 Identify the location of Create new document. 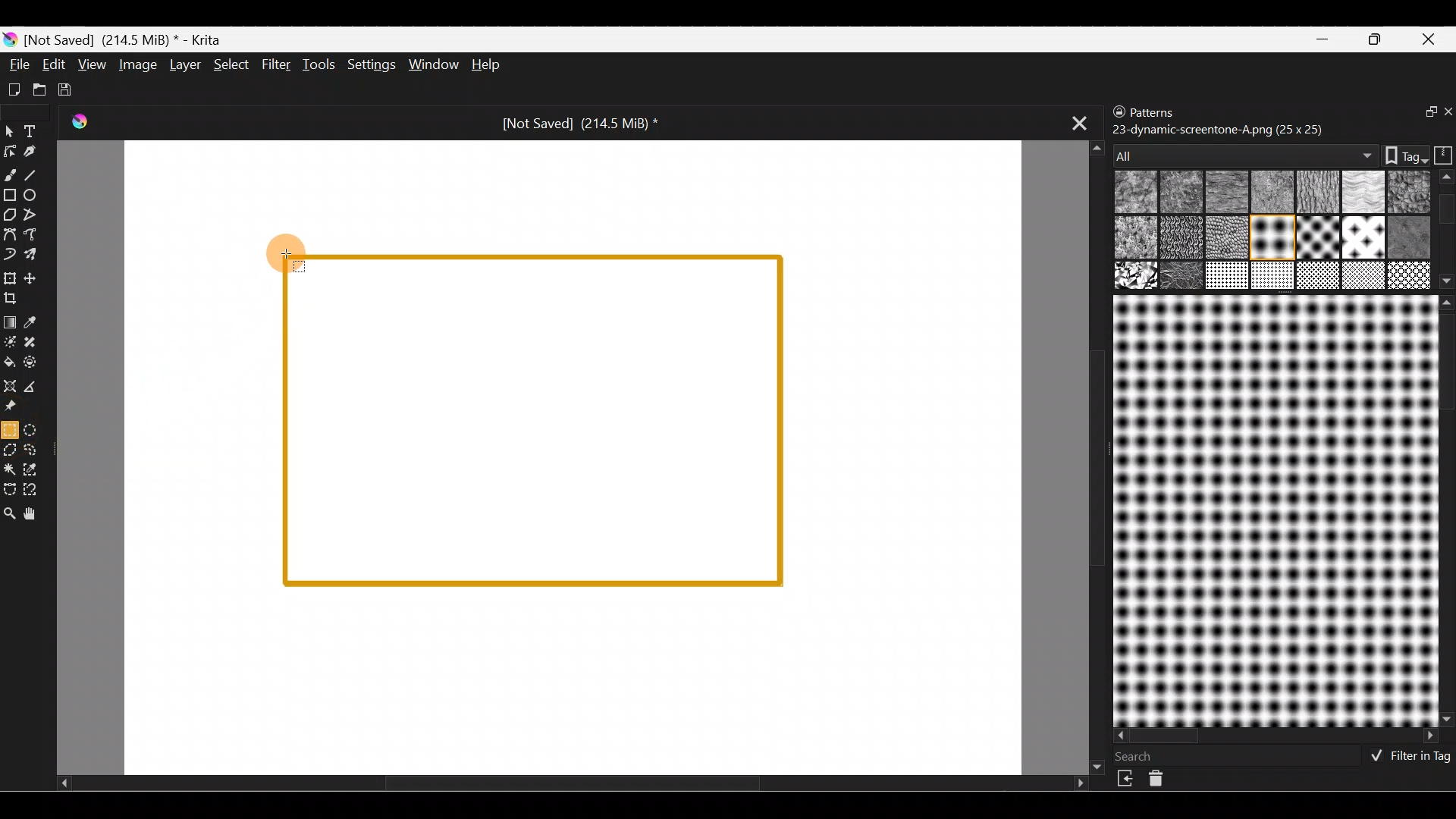
(14, 90).